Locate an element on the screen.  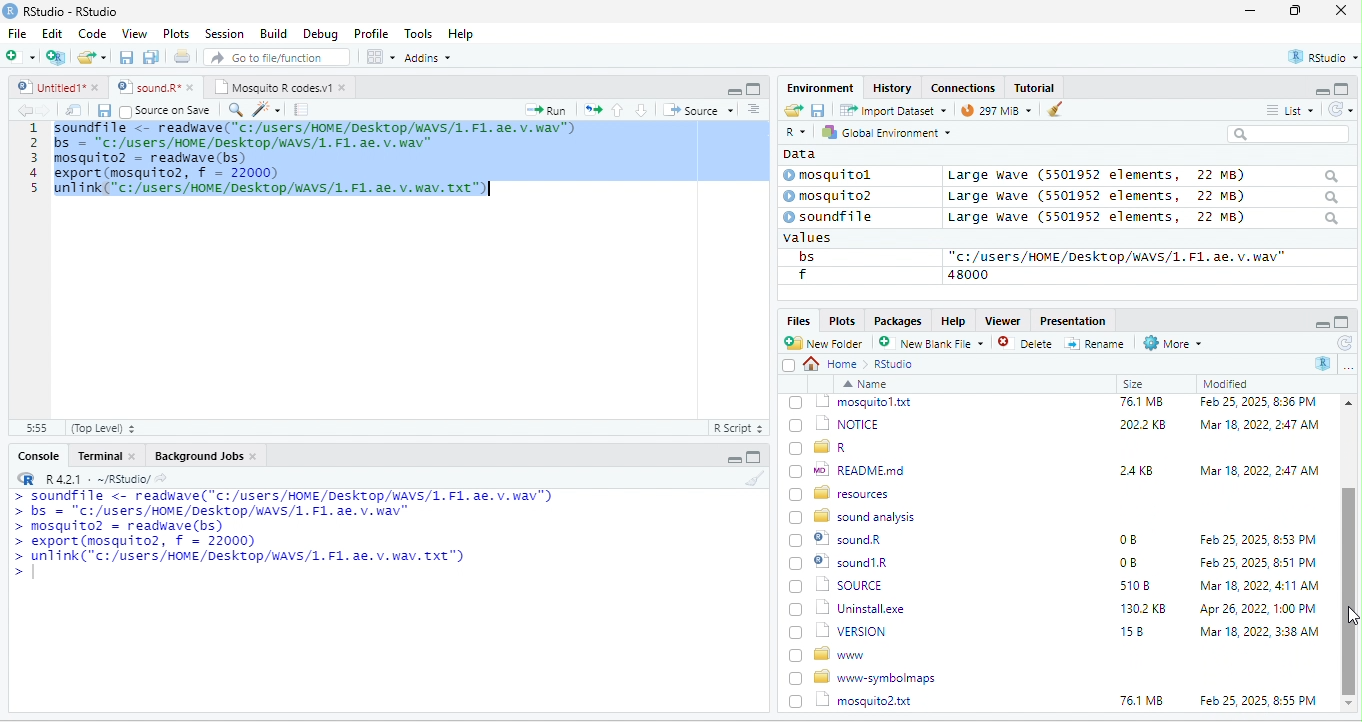
wo| READMEmd is located at coordinates (852, 588).